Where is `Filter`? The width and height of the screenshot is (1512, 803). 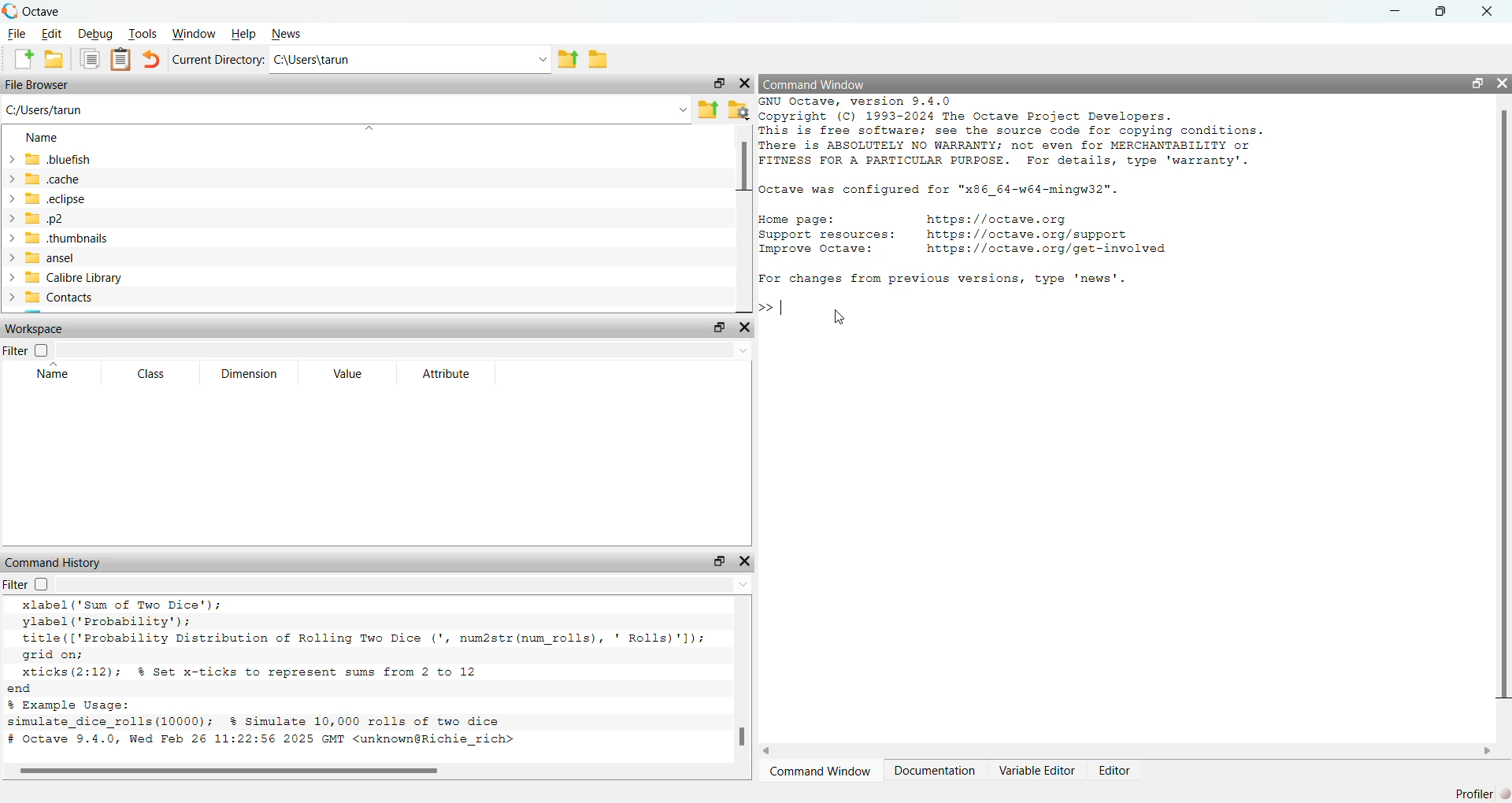 Filter is located at coordinates (25, 350).